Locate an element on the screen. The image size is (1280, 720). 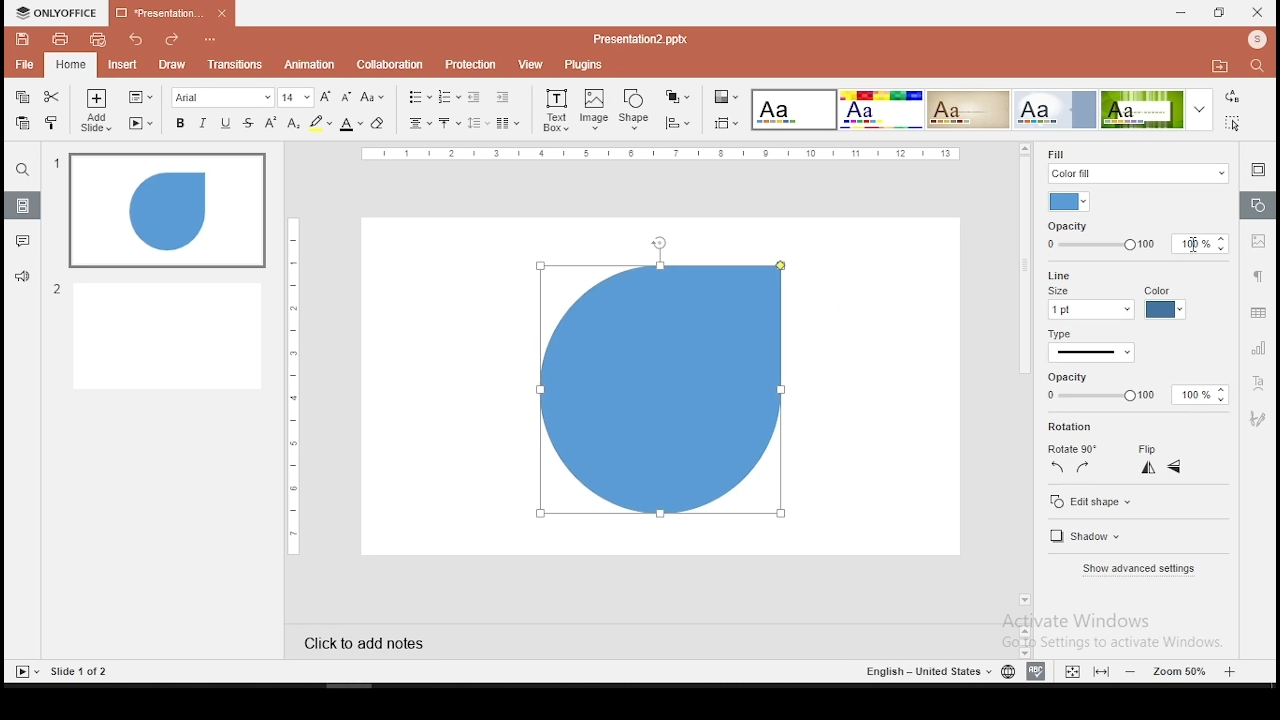
decrease font size is located at coordinates (346, 98).